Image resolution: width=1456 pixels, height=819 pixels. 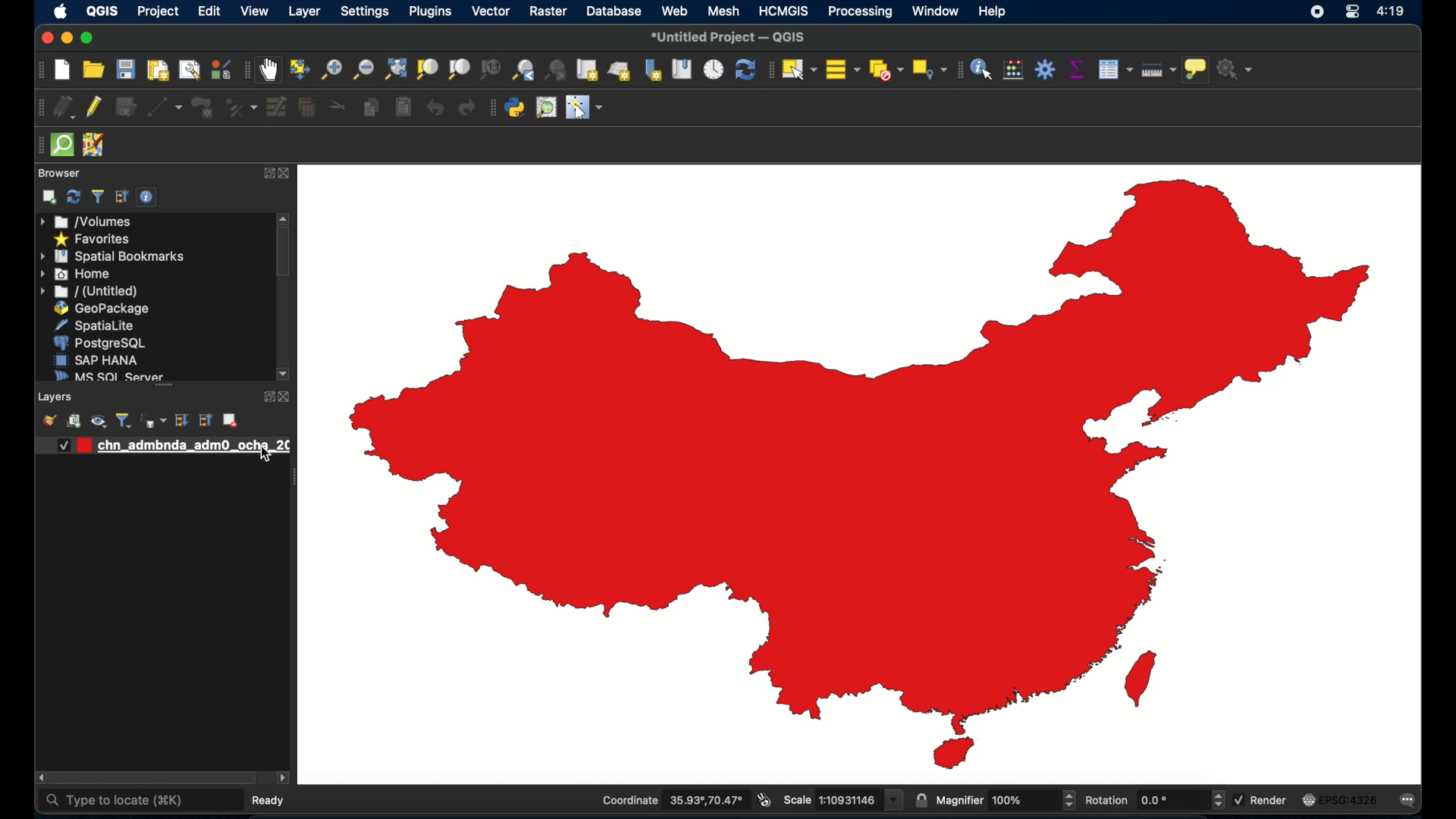 What do you see at coordinates (884, 71) in the screenshot?
I see `deselect all features` at bounding box center [884, 71].